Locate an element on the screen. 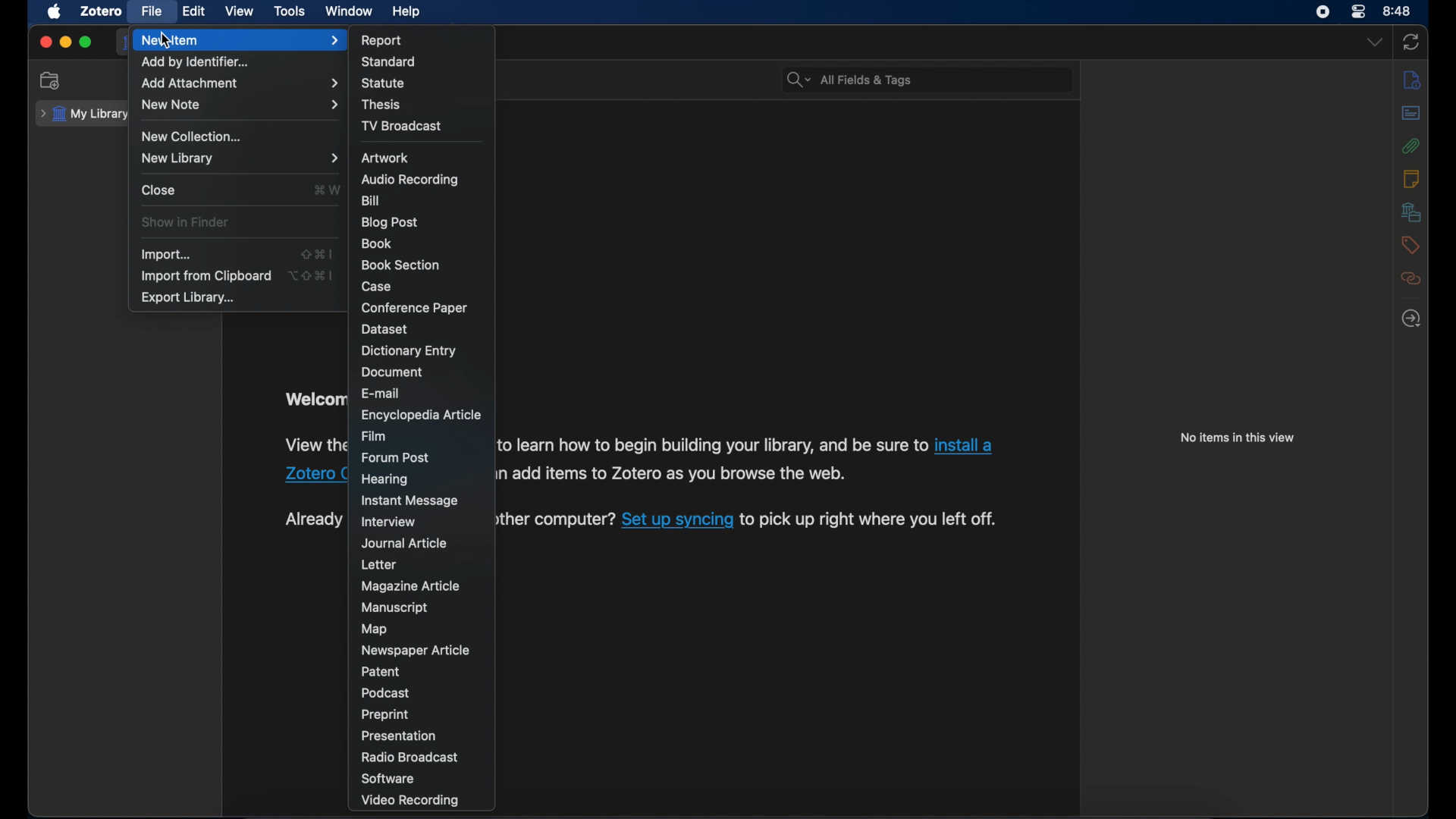 This screenshot has width=1456, height=819. instant message is located at coordinates (409, 500).